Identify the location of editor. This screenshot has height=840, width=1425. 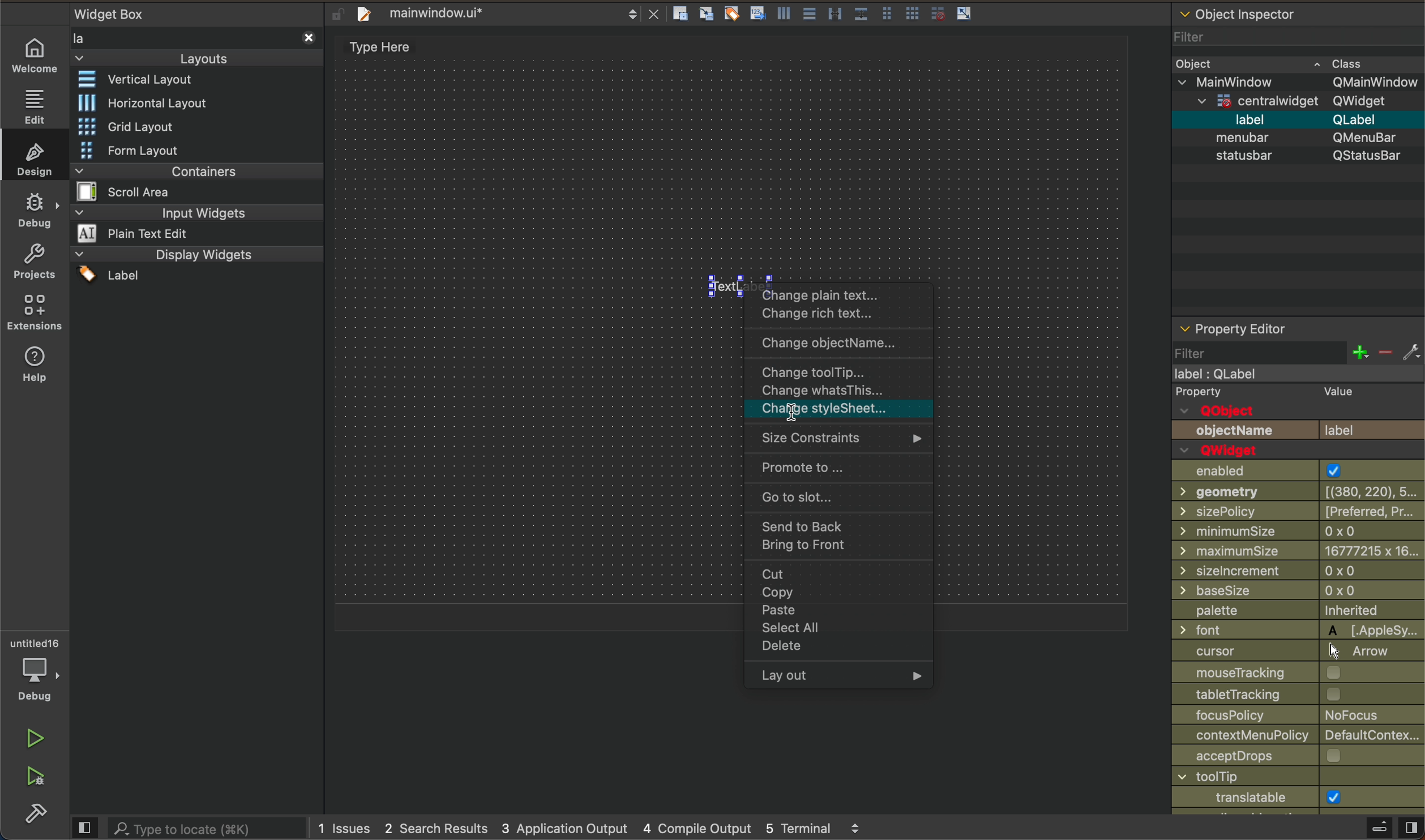
(36, 106).